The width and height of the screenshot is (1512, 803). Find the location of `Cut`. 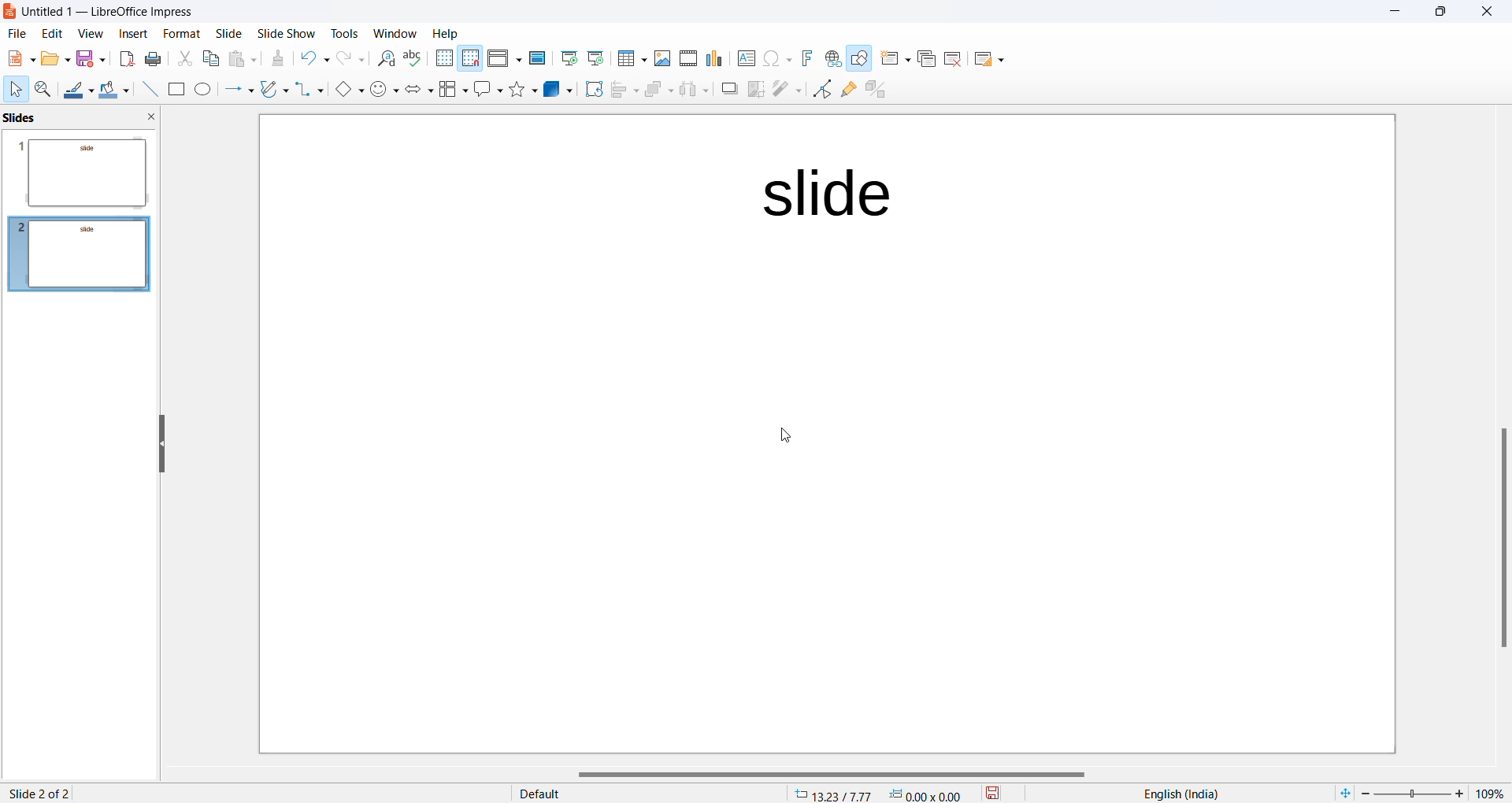

Cut is located at coordinates (183, 57).